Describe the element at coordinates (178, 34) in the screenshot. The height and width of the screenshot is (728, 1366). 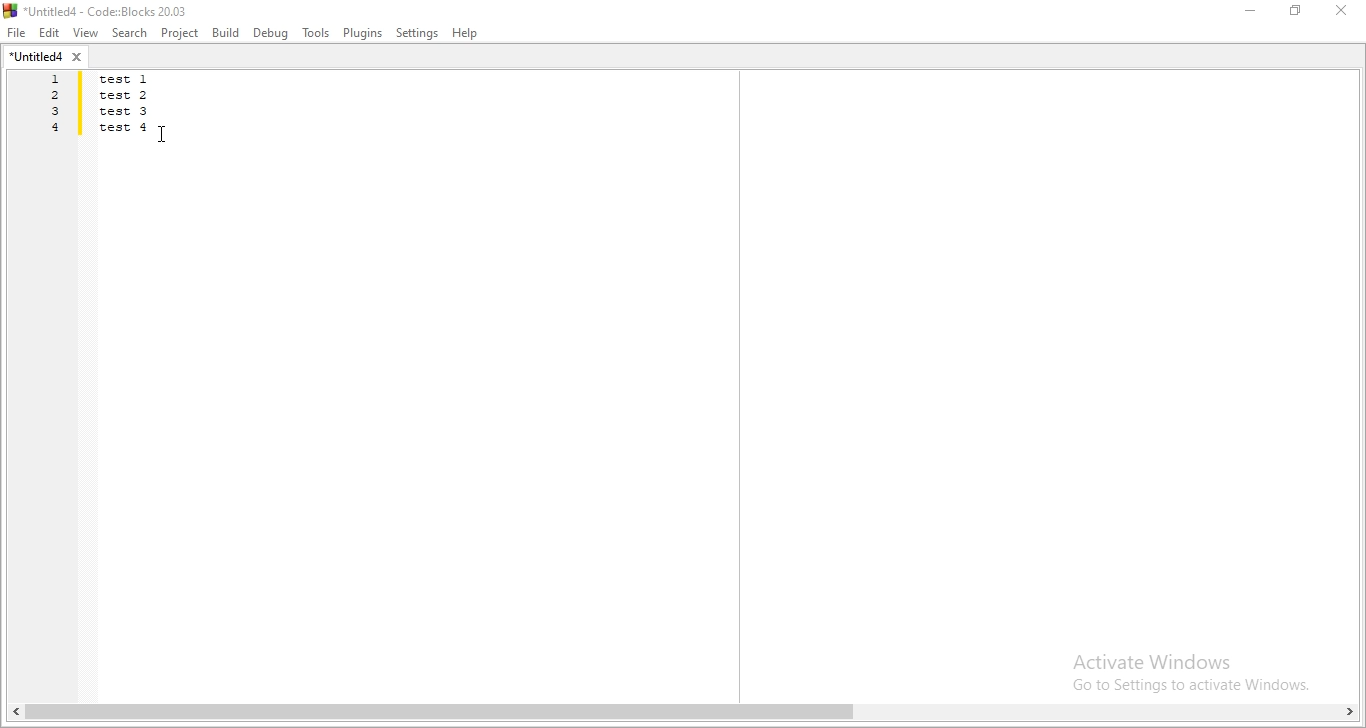
I see `Project ` at that location.